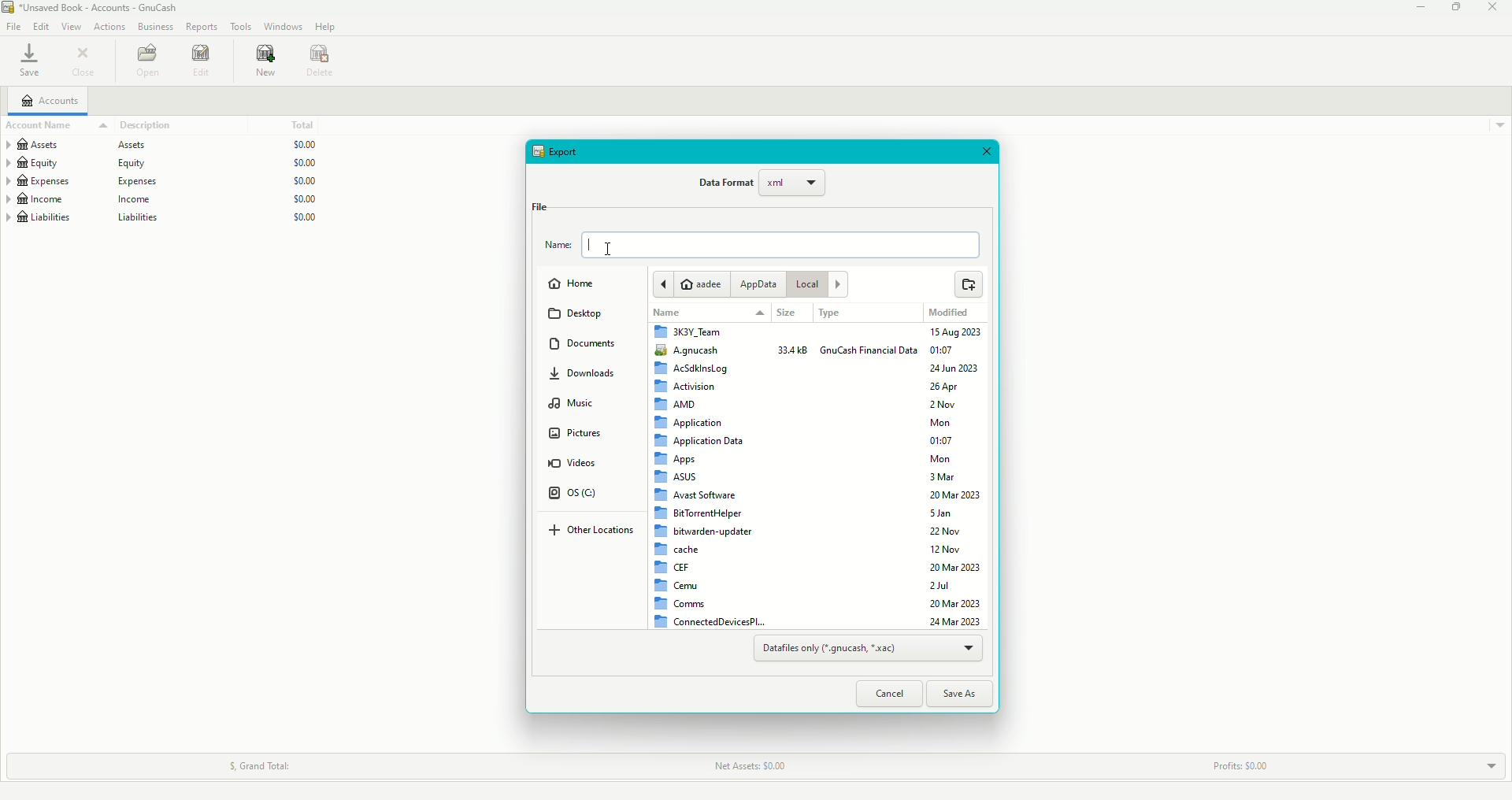 The height and width of the screenshot is (800, 1512). Describe the element at coordinates (1421, 9) in the screenshot. I see `Minimize` at that location.